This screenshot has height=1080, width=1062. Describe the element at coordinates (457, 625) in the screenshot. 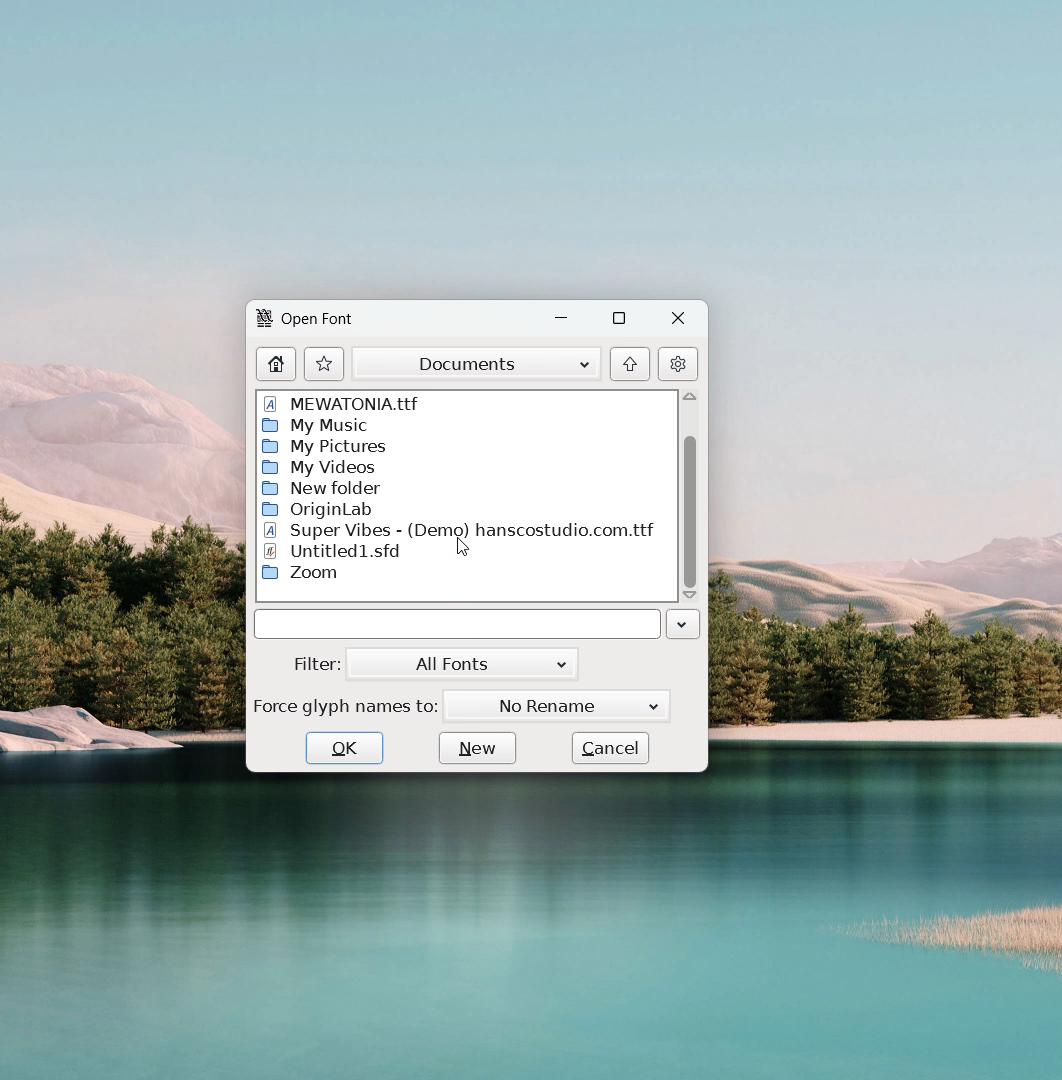

I see `name of selected file` at that location.